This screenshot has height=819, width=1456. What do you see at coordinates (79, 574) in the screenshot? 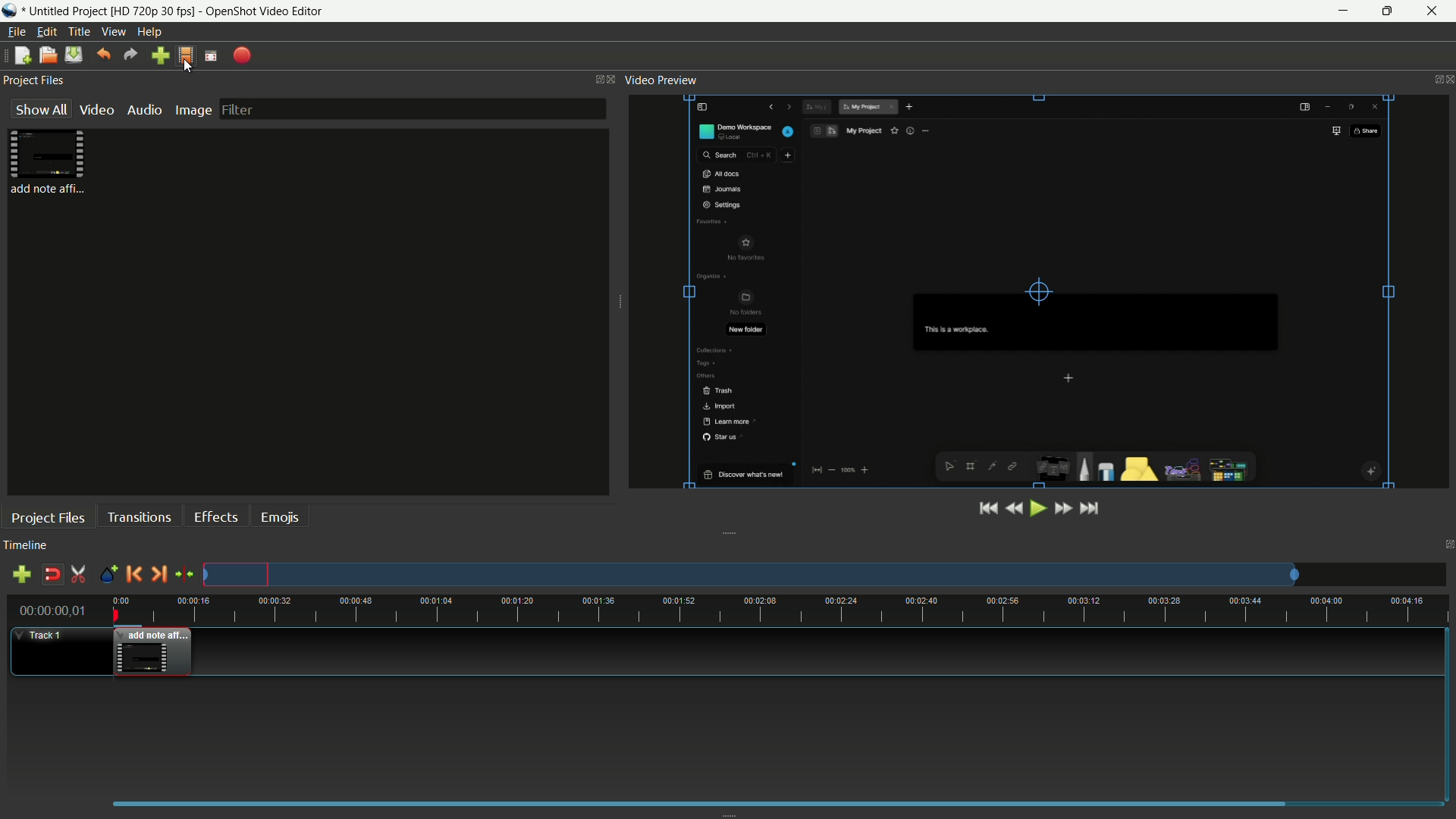
I see `enable razor` at bounding box center [79, 574].